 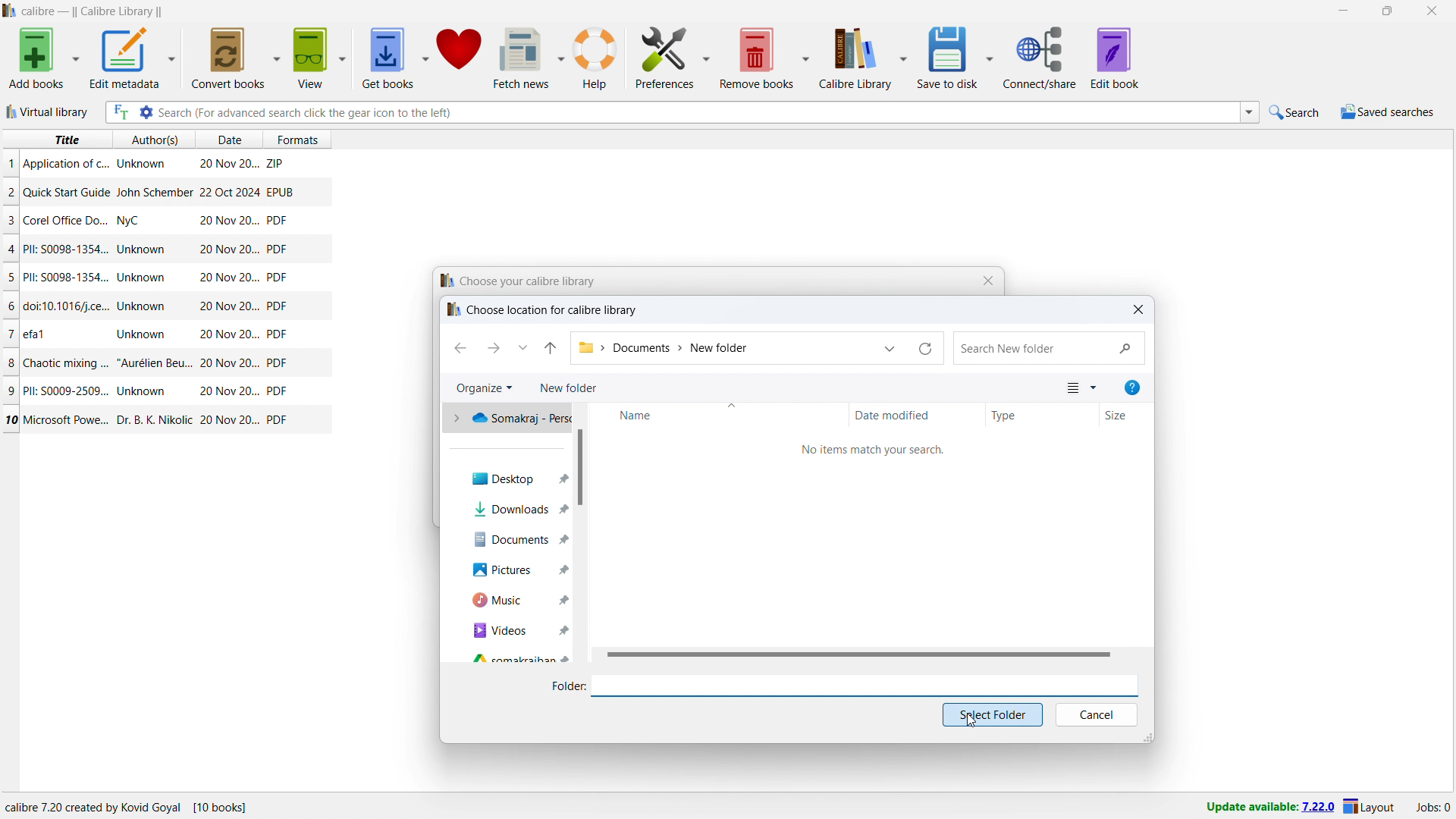 I want to click on 2, so click(x=11, y=194).